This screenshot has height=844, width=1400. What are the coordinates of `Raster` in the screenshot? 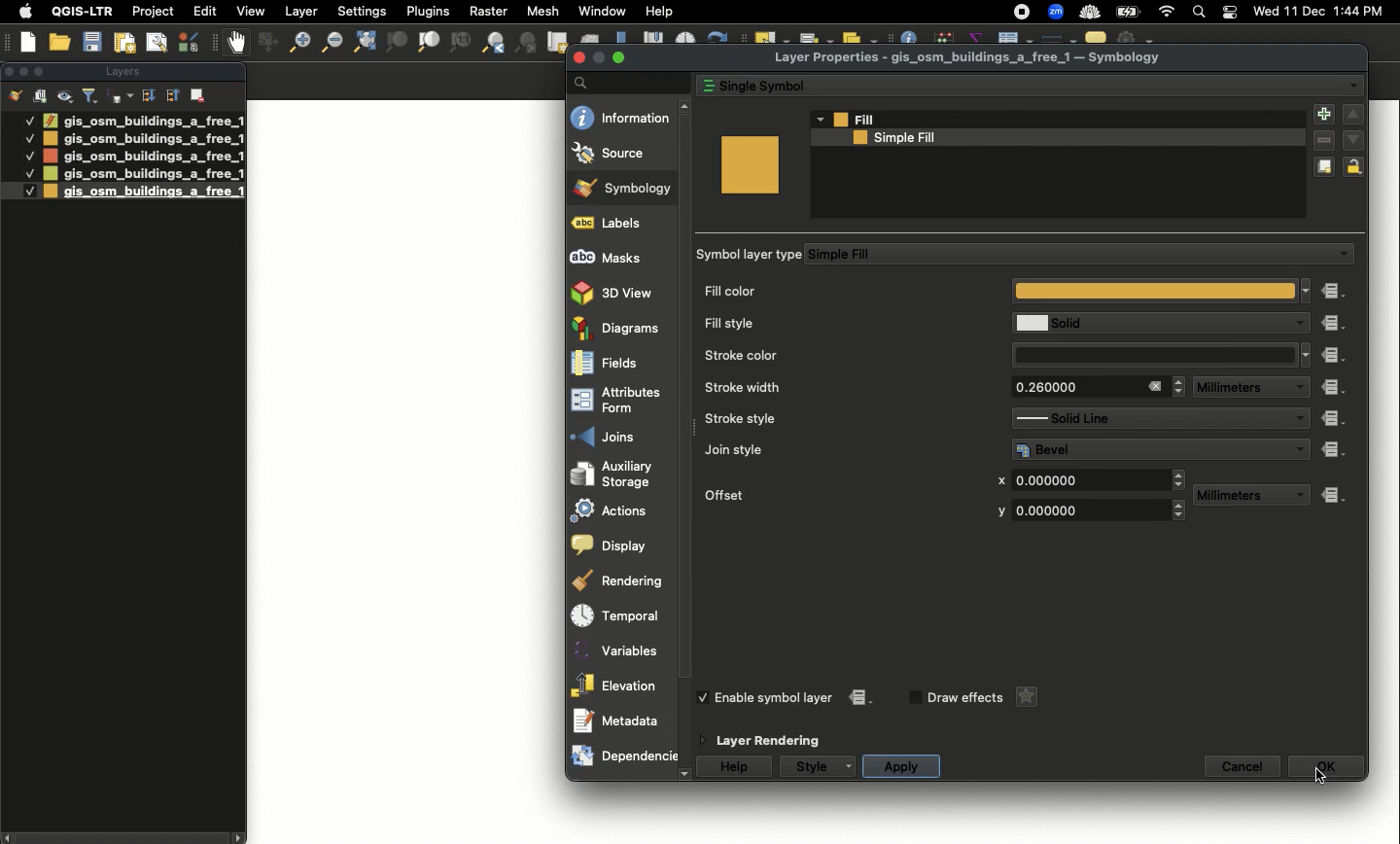 It's located at (486, 12).